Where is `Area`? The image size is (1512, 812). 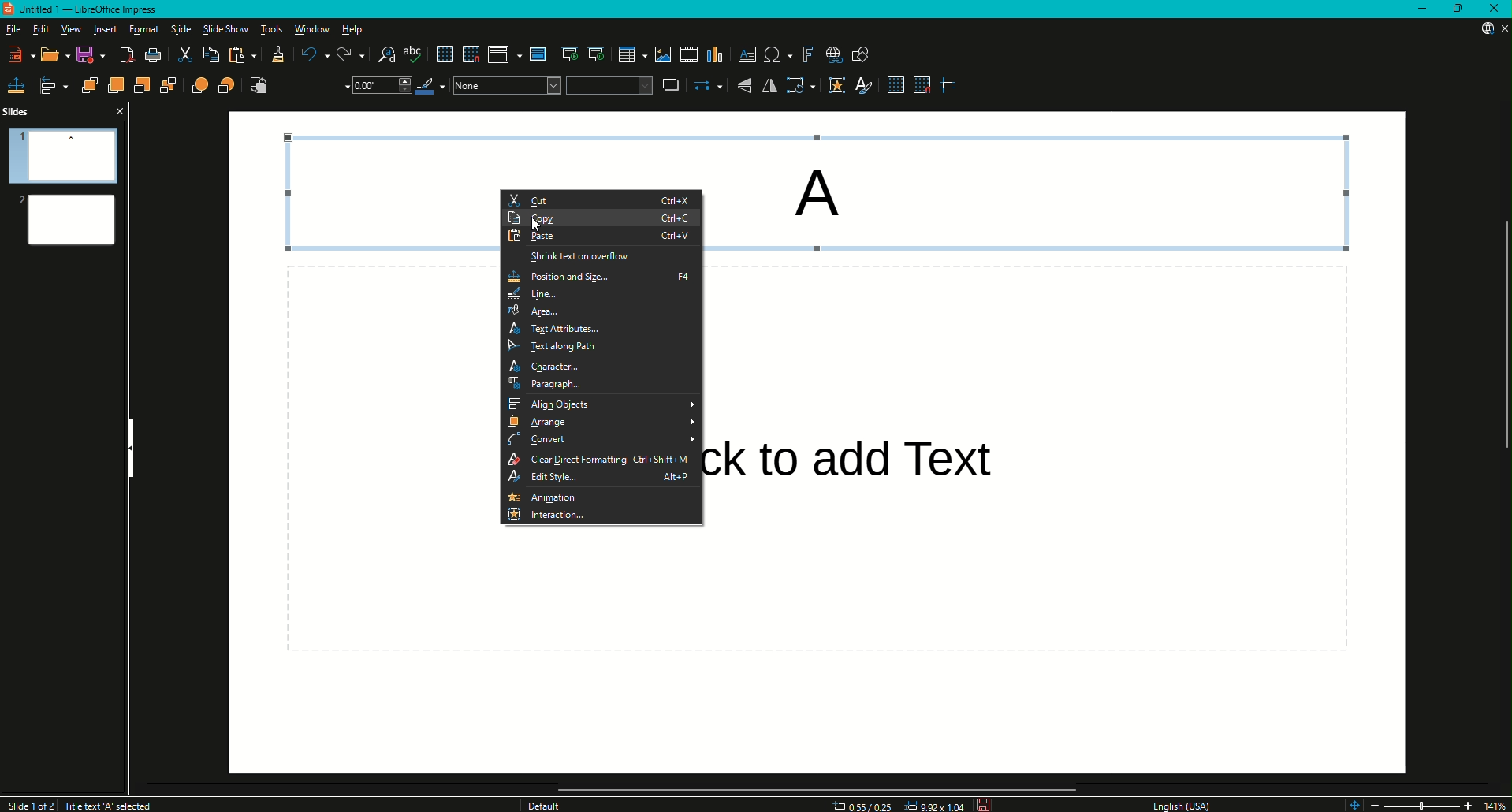
Area is located at coordinates (603, 311).